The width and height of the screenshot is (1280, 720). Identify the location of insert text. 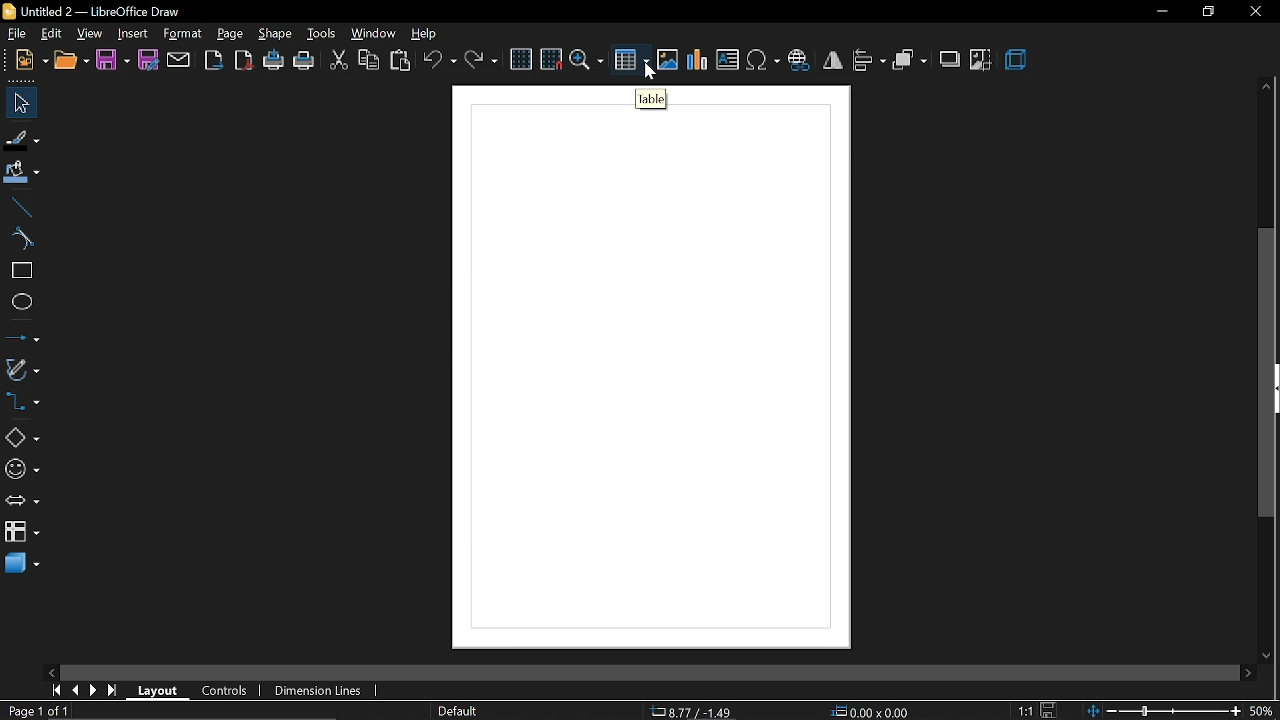
(728, 59).